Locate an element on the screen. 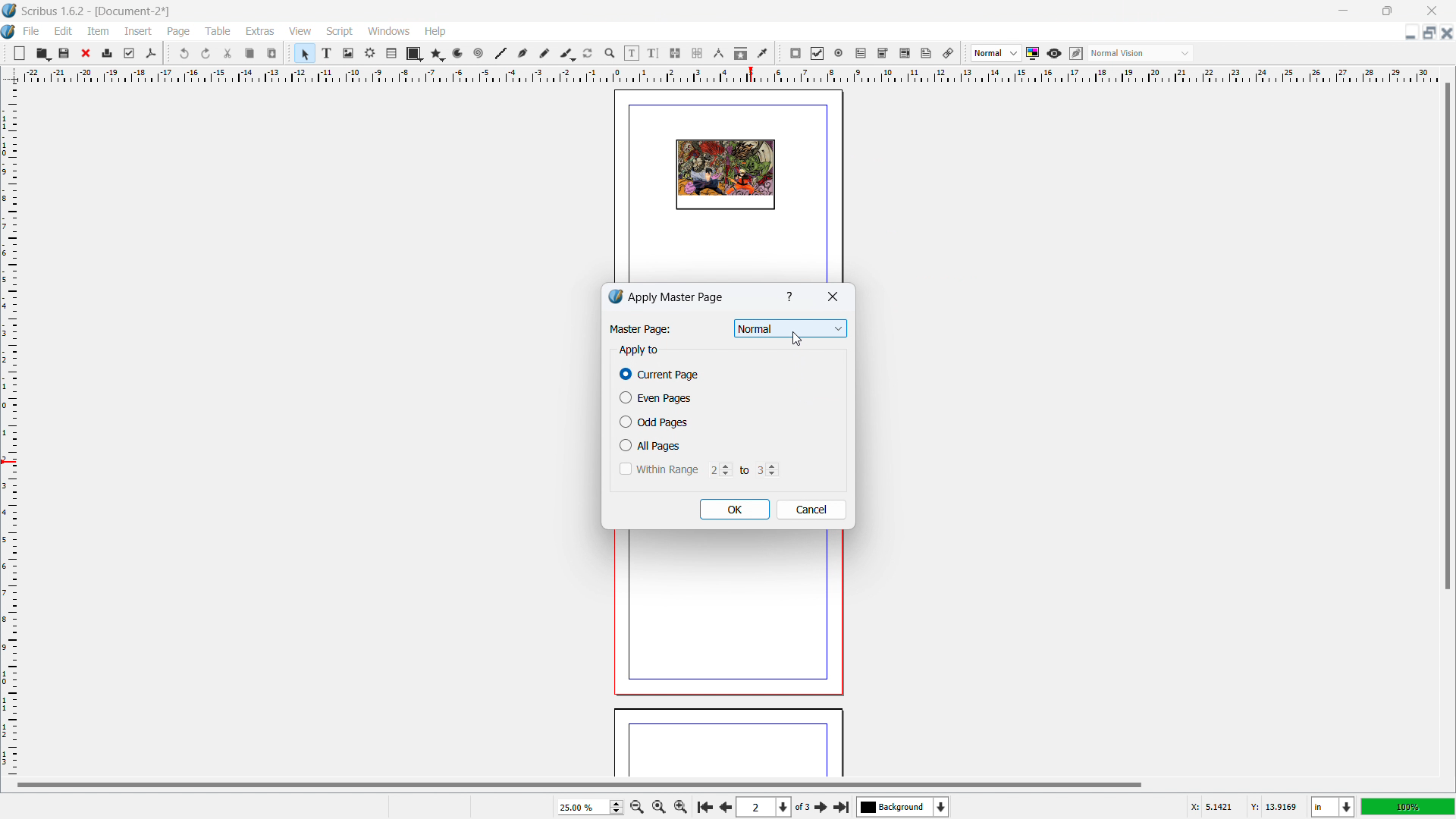  save is located at coordinates (65, 52).